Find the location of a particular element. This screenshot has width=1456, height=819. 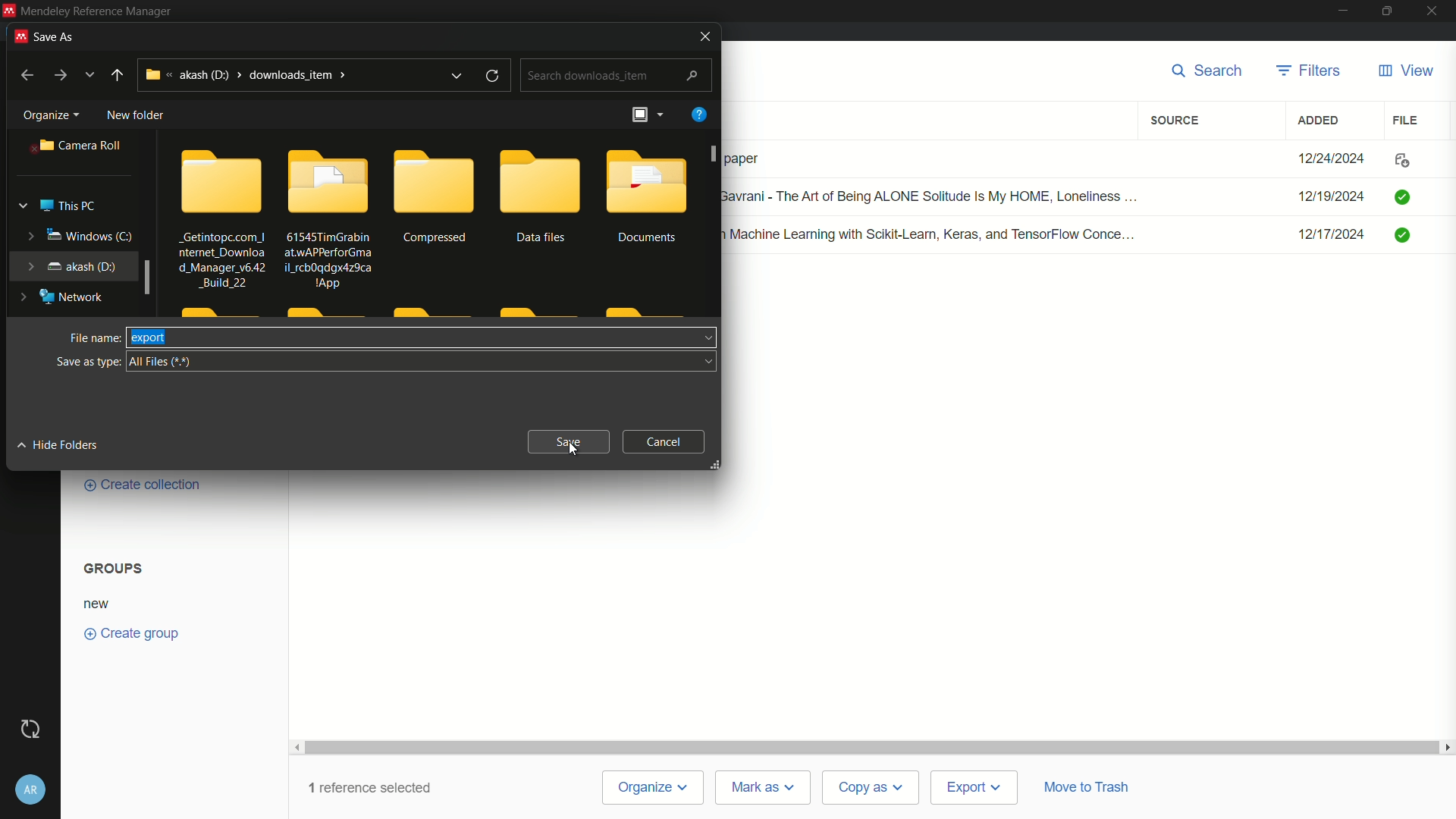

move to trash is located at coordinates (1087, 786).